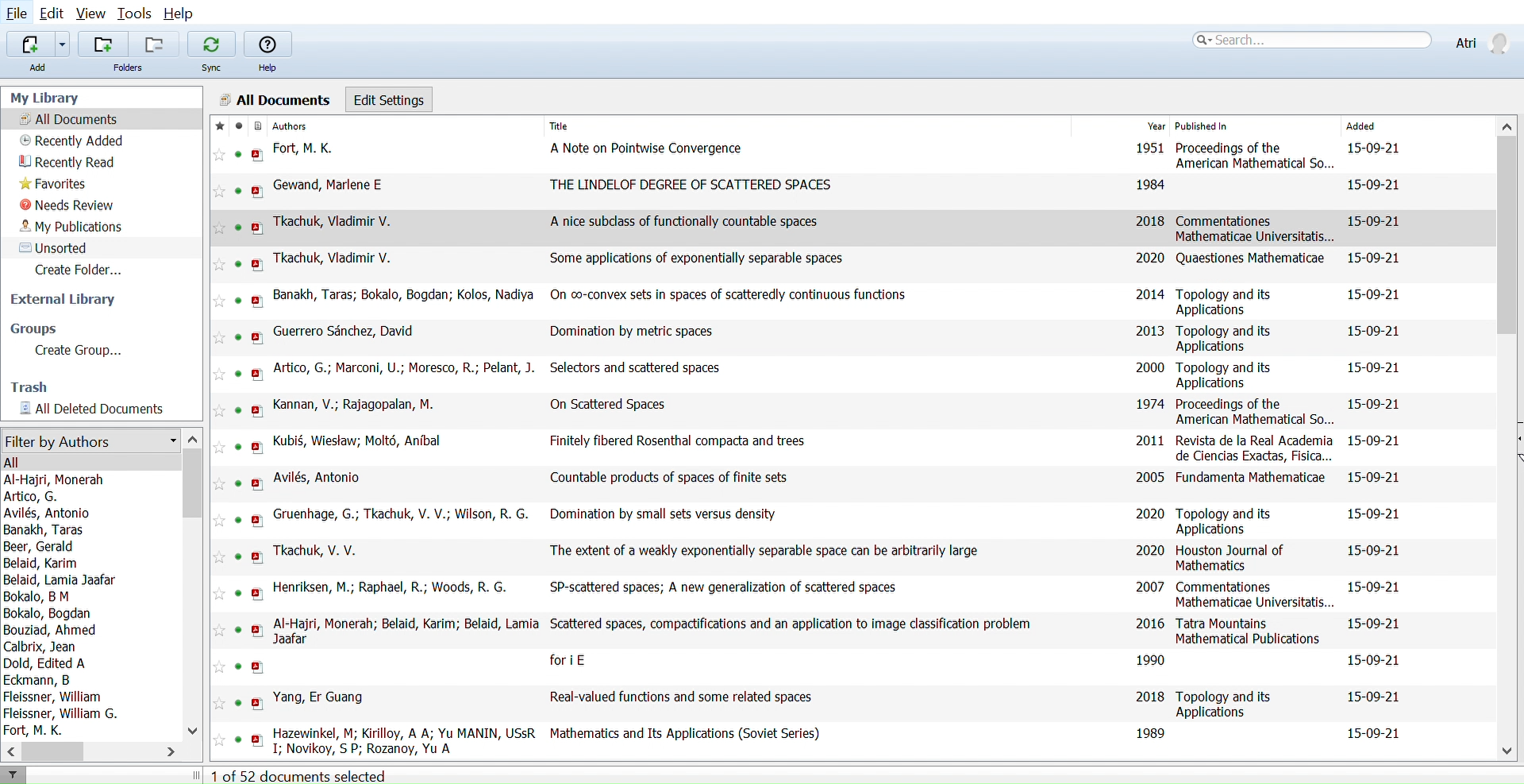  I want to click on Scattered spaces, compactifications and an application to image classification problem, so click(793, 625).